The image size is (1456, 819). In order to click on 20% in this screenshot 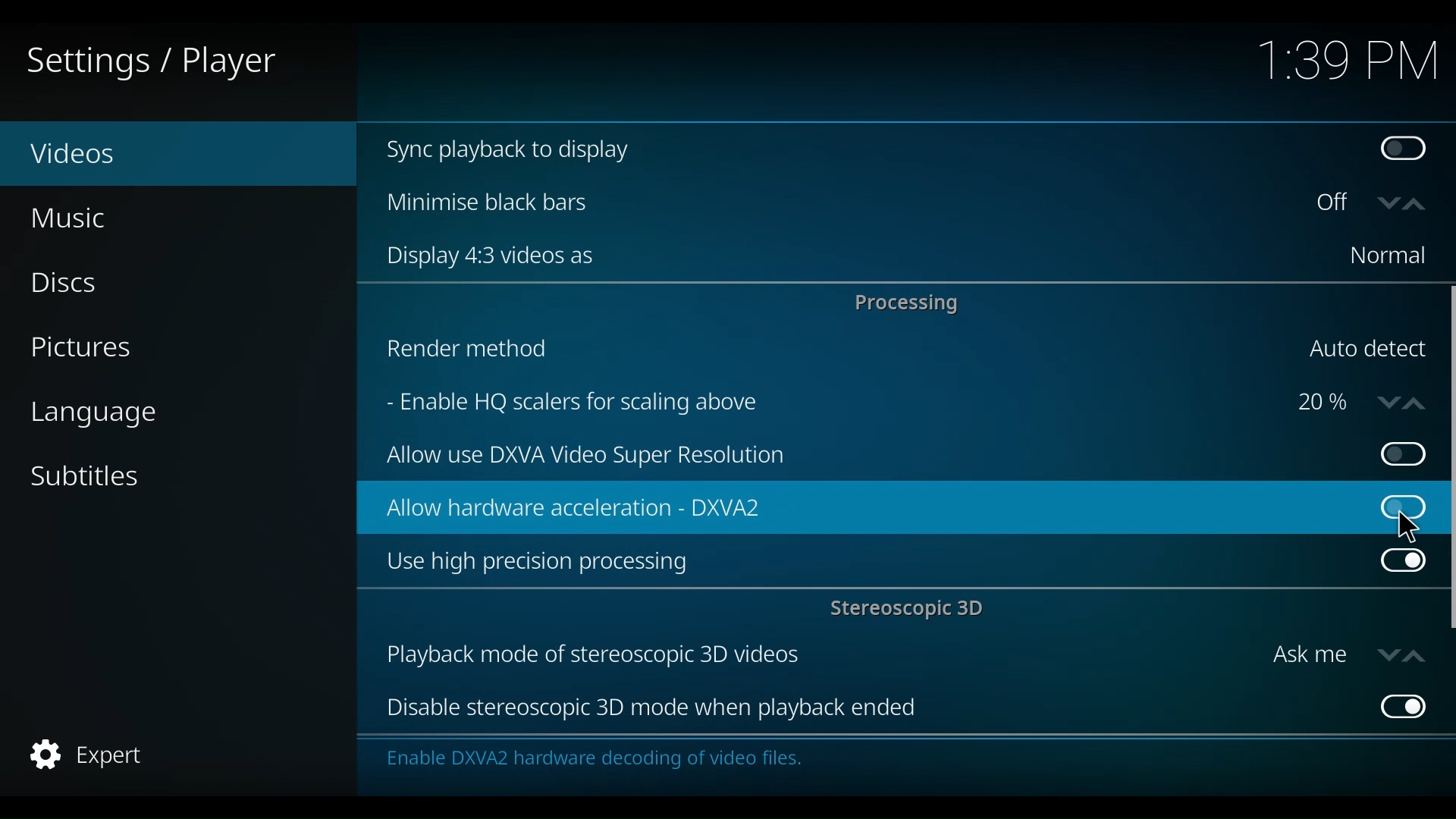, I will do `click(1323, 403)`.